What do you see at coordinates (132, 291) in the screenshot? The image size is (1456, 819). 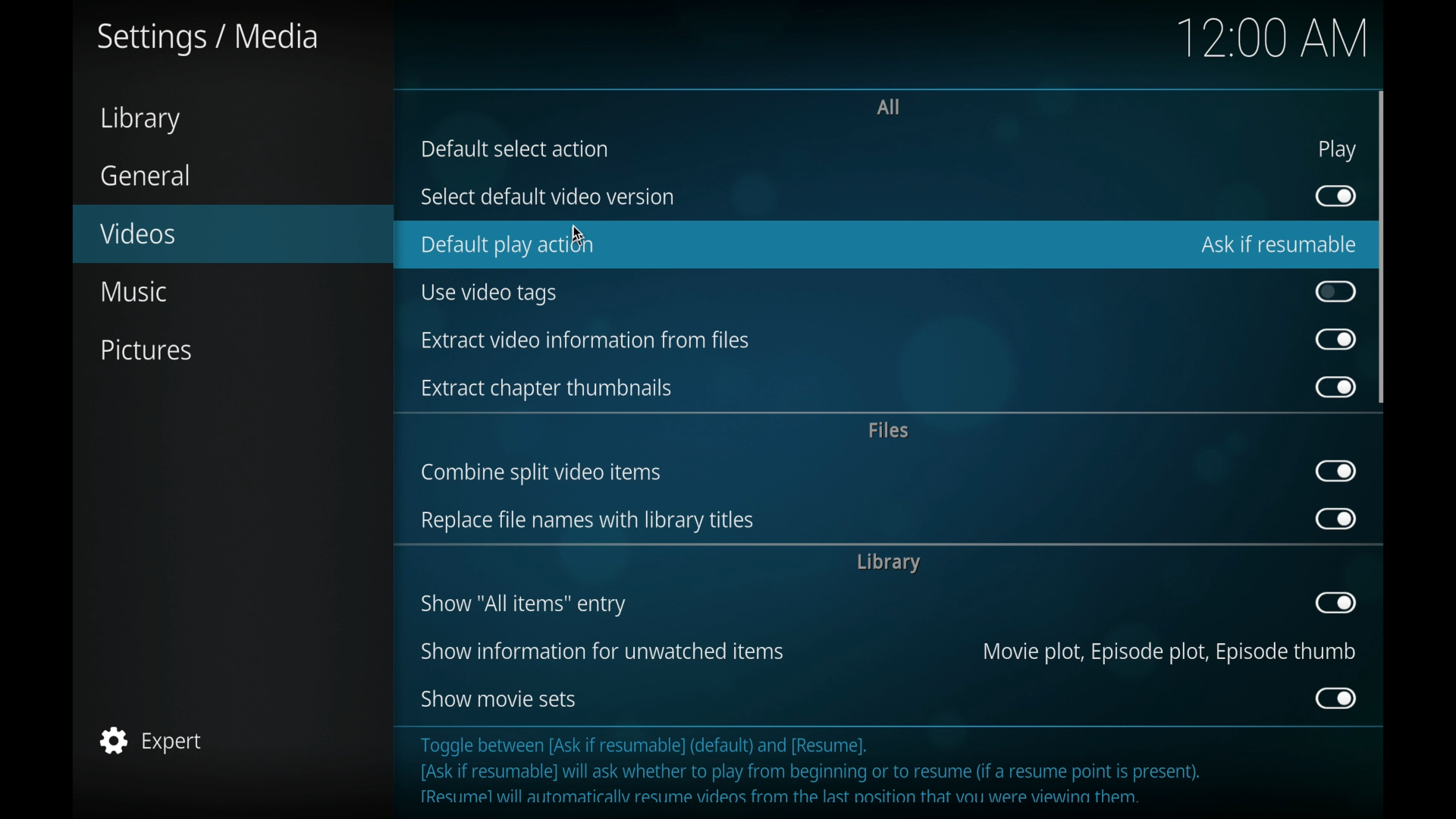 I see `music` at bounding box center [132, 291].